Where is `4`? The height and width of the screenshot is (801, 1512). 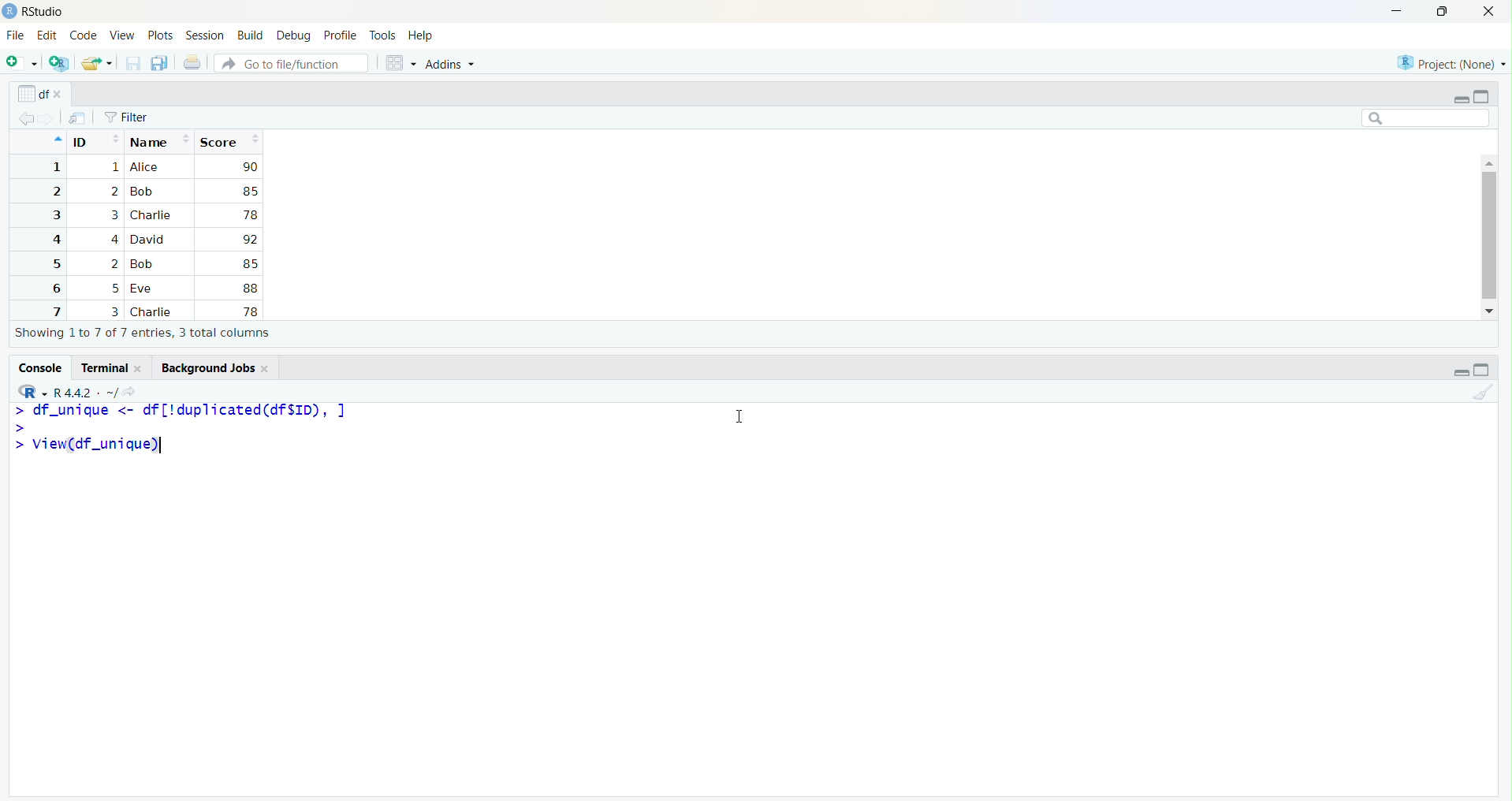
4 is located at coordinates (54, 240).